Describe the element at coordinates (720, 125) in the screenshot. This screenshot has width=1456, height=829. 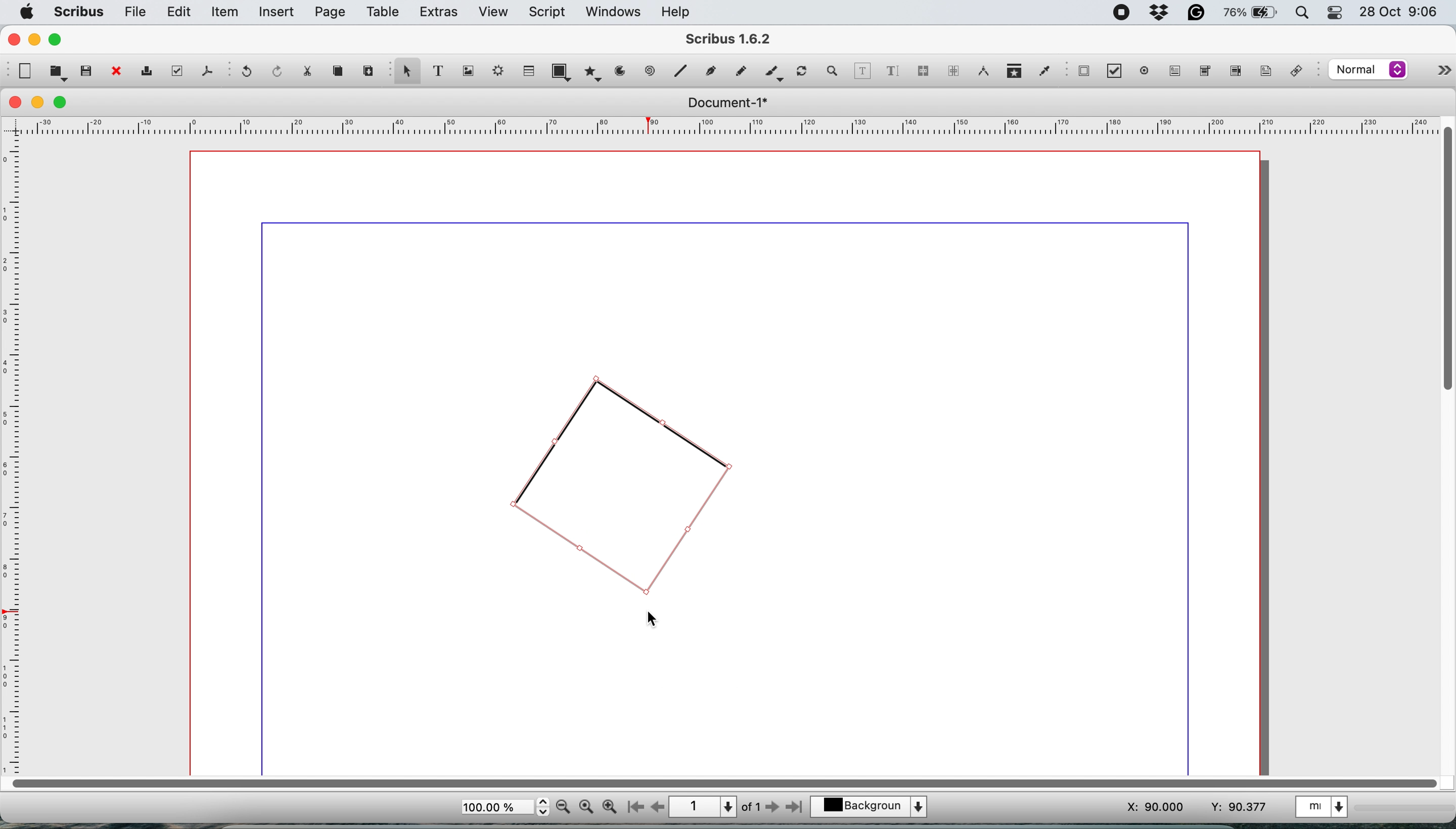
I see `horizontal scale` at that location.